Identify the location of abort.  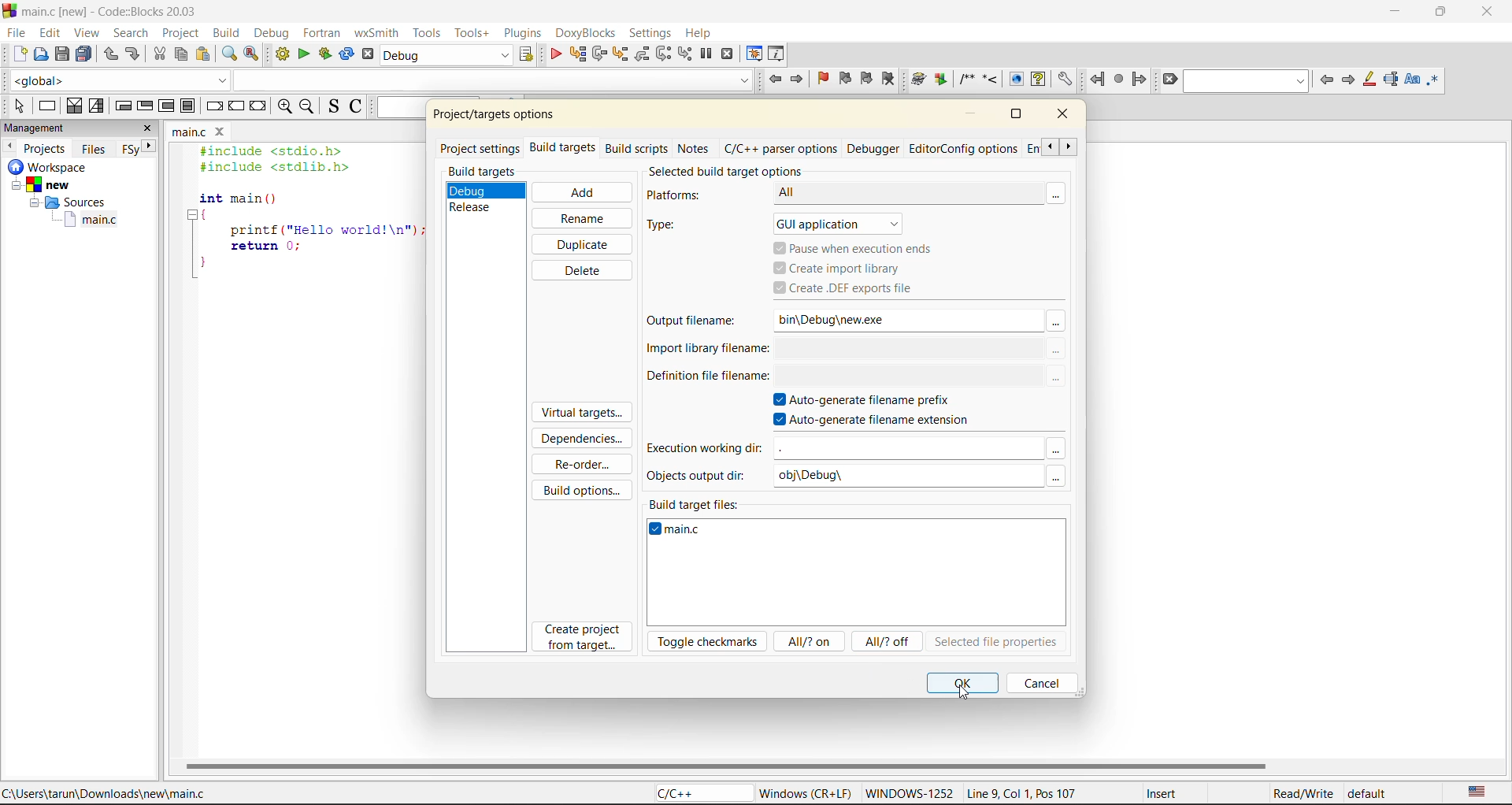
(371, 54).